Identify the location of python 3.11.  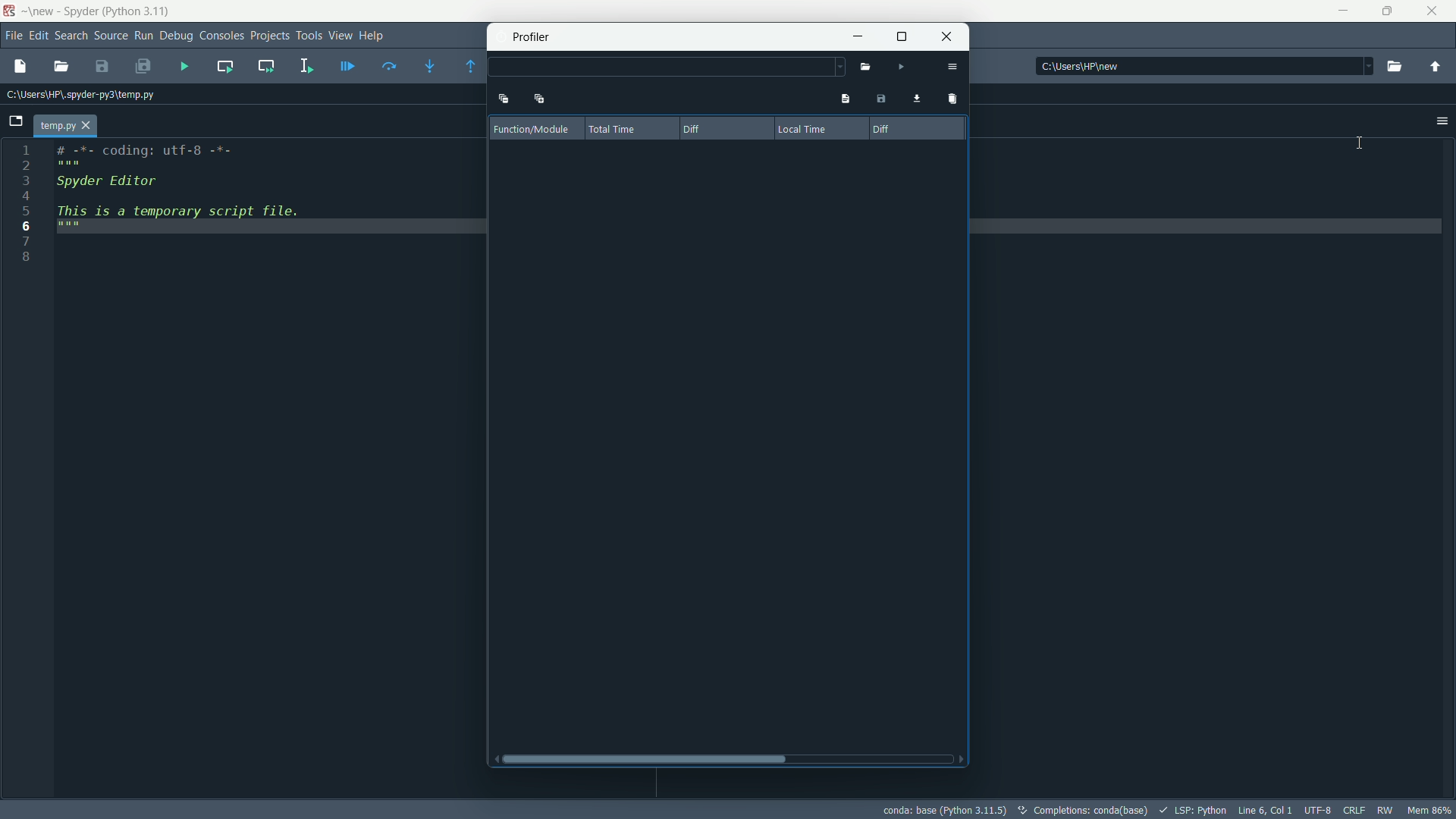
(139, 12).